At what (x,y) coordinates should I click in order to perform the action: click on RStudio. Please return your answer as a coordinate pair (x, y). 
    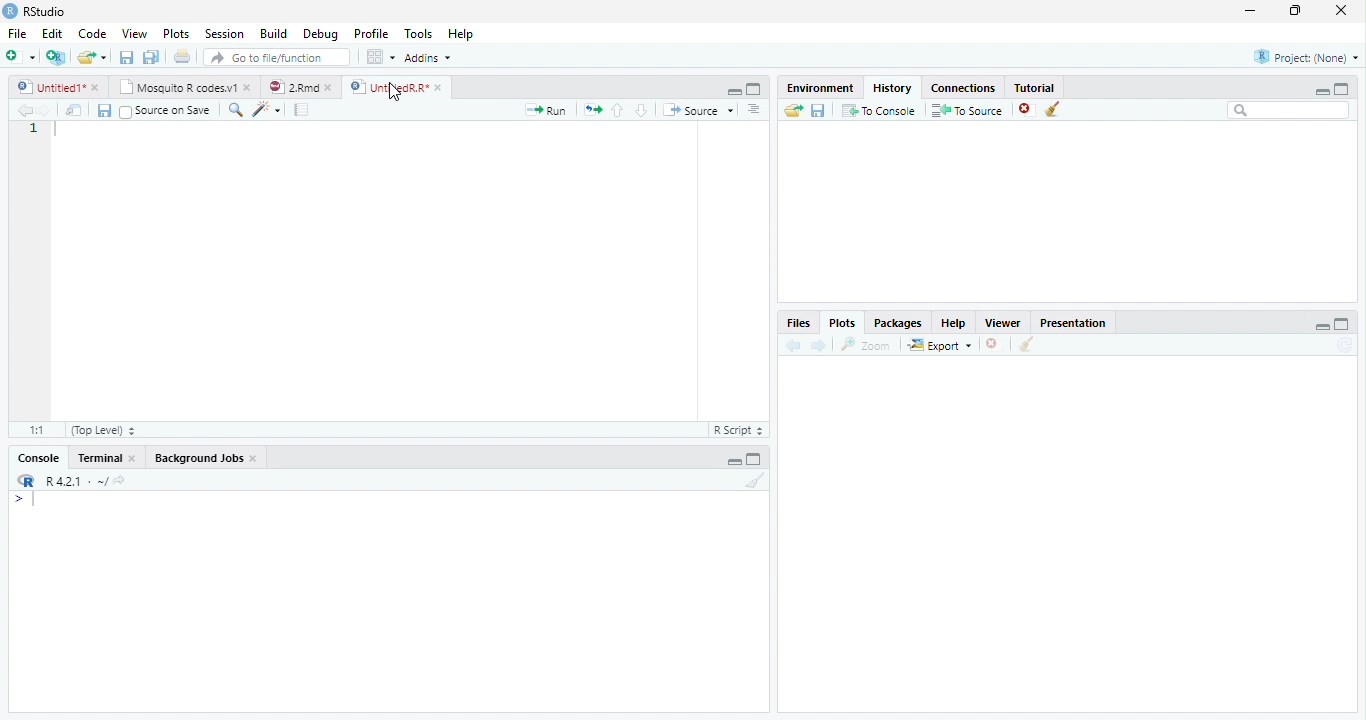
    Looking at the image, I should click on (34, 11).